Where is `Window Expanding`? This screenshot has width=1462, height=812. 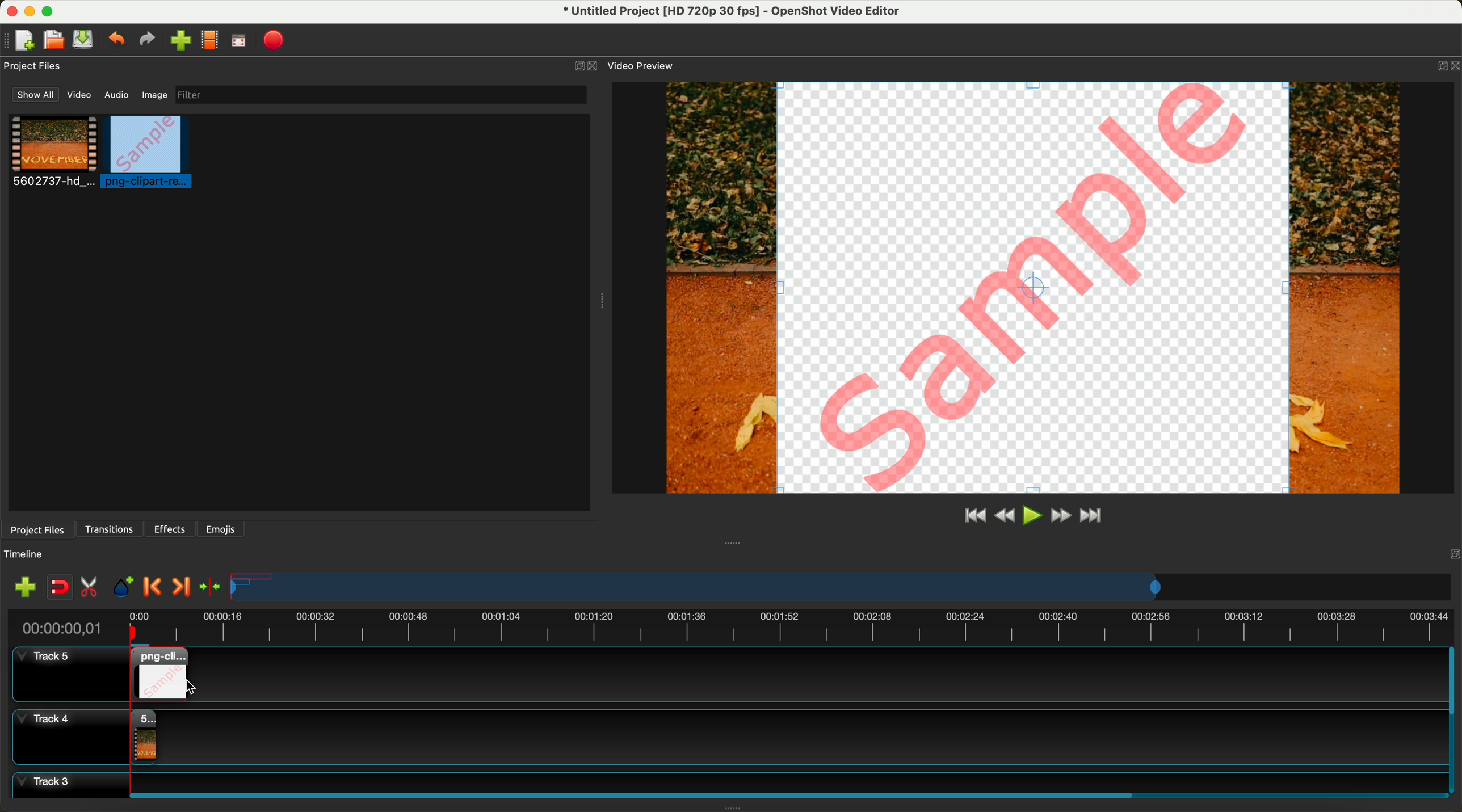
Window Expanding is located at coordinates (599, 302).